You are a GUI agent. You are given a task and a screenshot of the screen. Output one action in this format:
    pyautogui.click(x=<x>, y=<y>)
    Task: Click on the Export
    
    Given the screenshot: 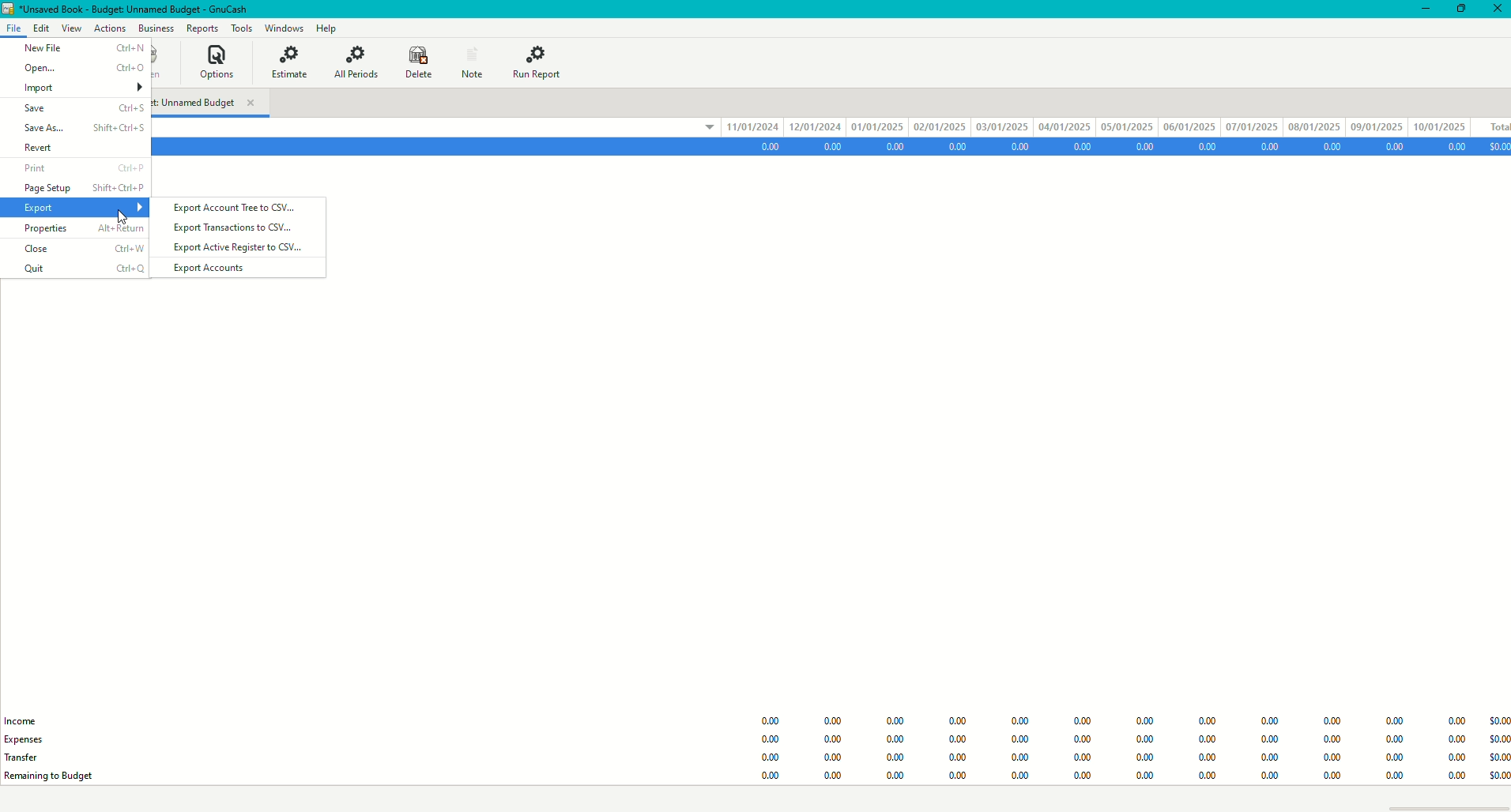 What is the action you would take?
    pyautogui.click(x=77, y=208)
    